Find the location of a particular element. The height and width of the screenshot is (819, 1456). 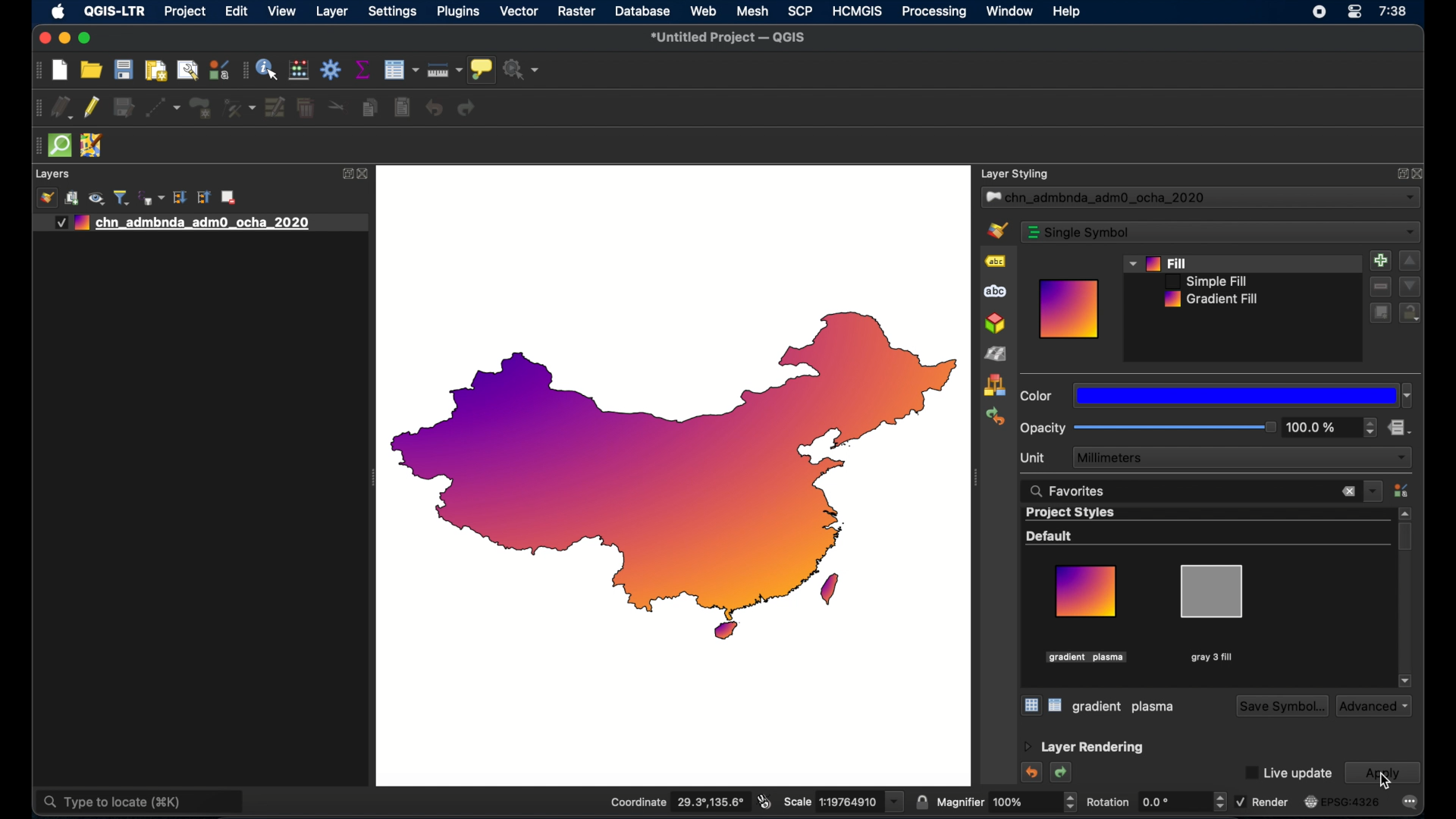

cursor is located at coordinates (1384, 781).